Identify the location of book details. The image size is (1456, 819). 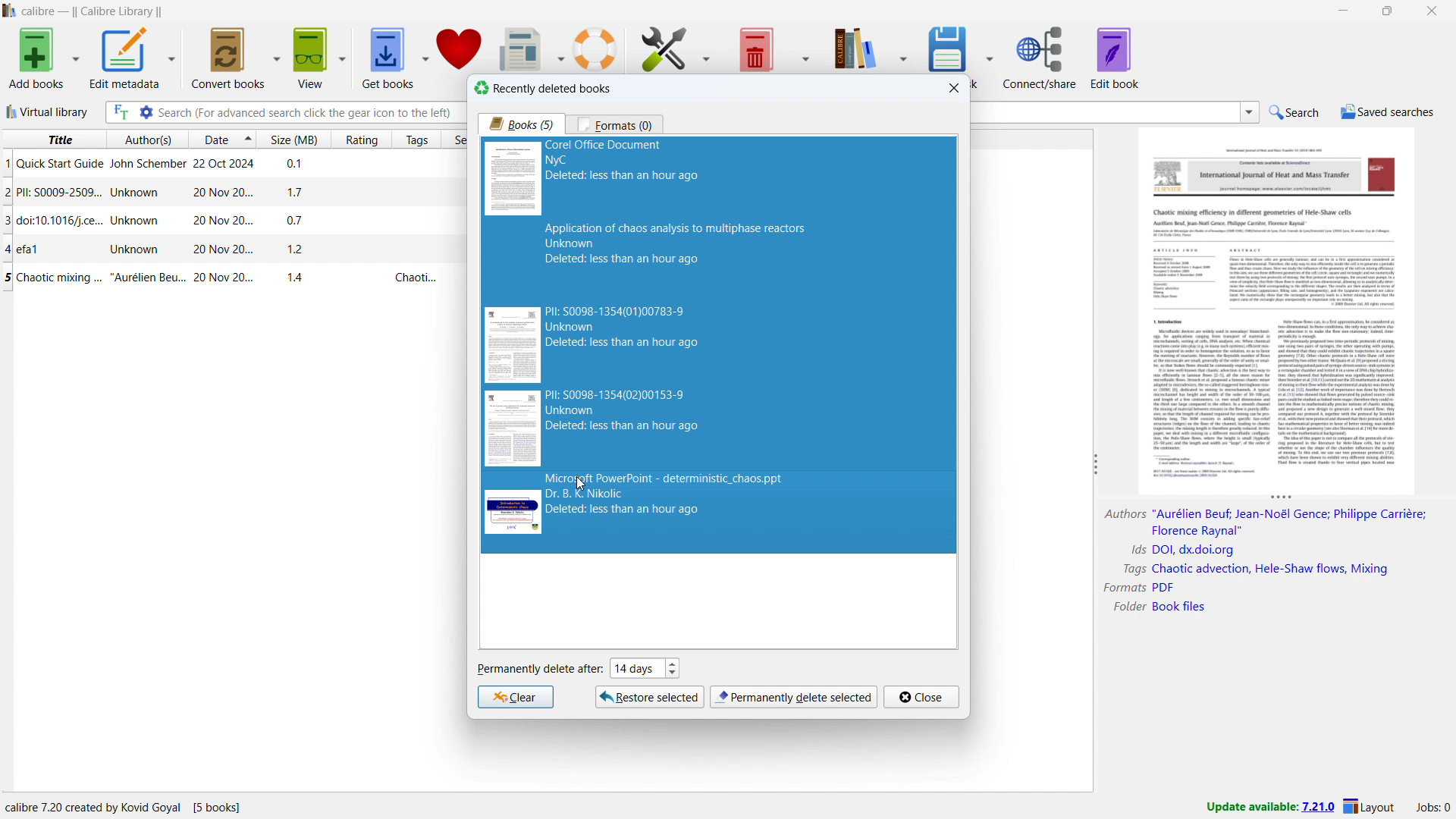
(1263, 562).